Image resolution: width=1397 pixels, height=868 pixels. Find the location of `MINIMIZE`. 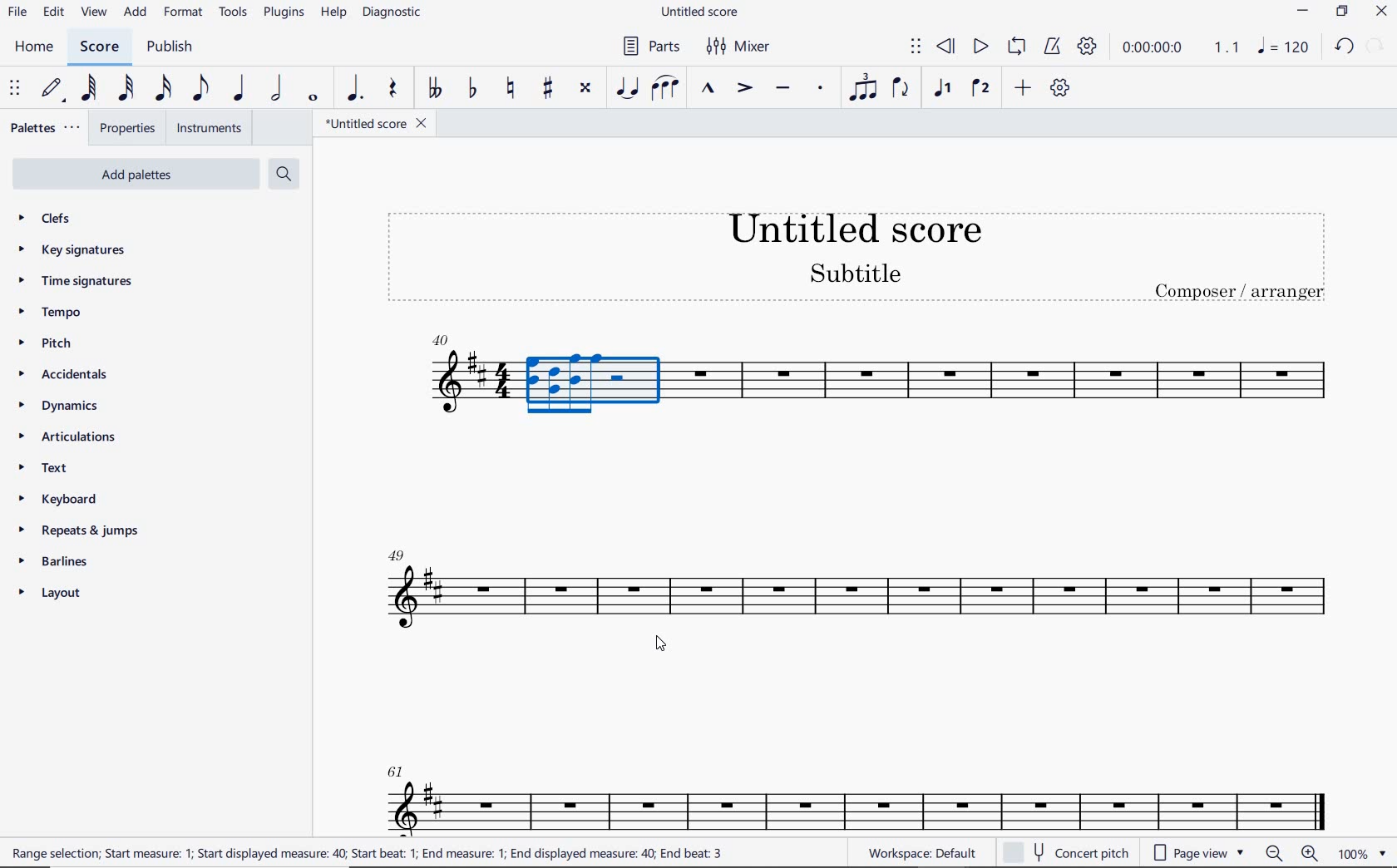

MINIMIZE is located at coordinates (1304, 13).